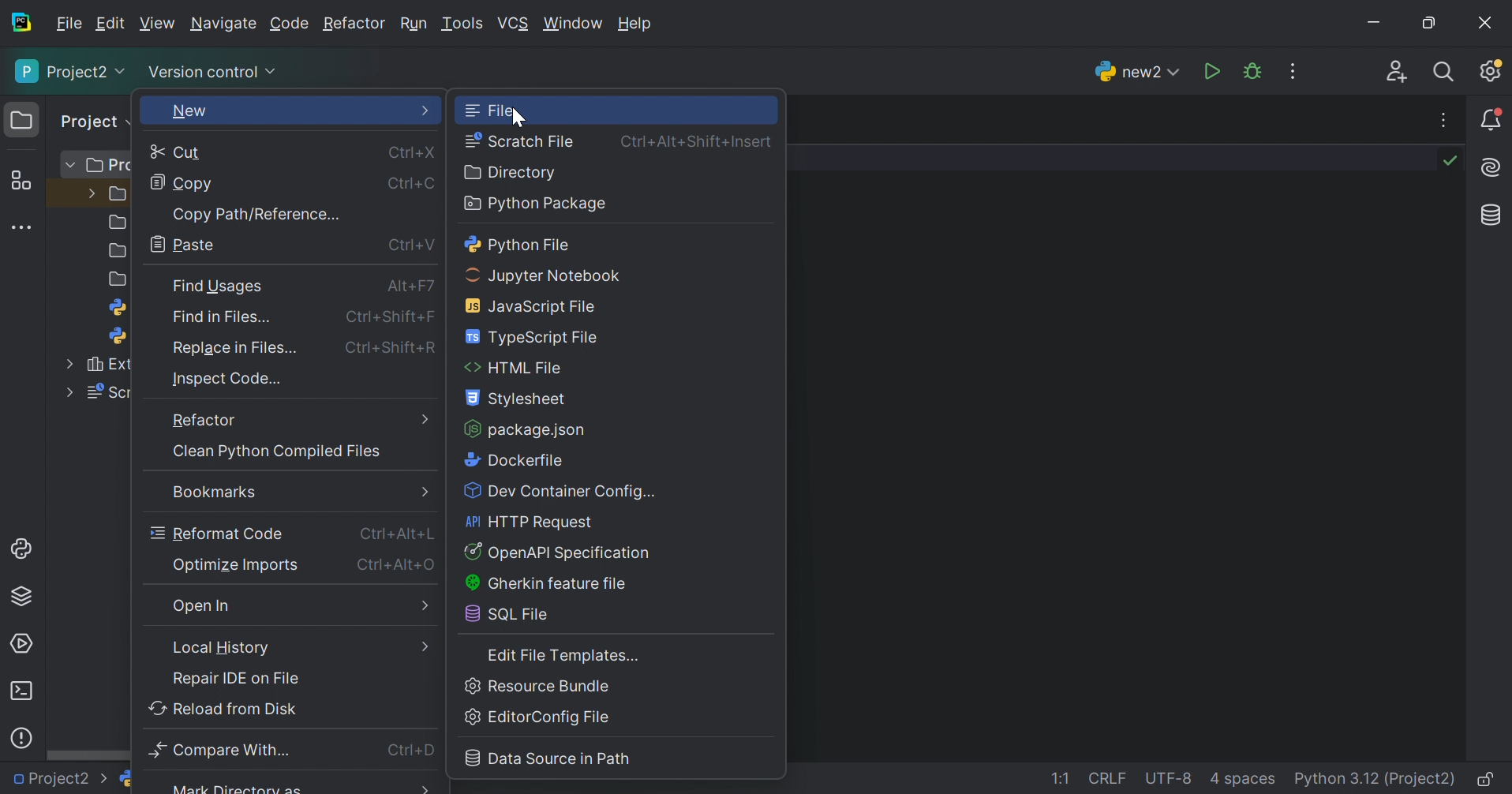 This screenshot has height=794, width=1512. What do you see at coordinates (237, 678) in the screenshot?
I see `Repair IDE on file` at bounding box center [237, 678].